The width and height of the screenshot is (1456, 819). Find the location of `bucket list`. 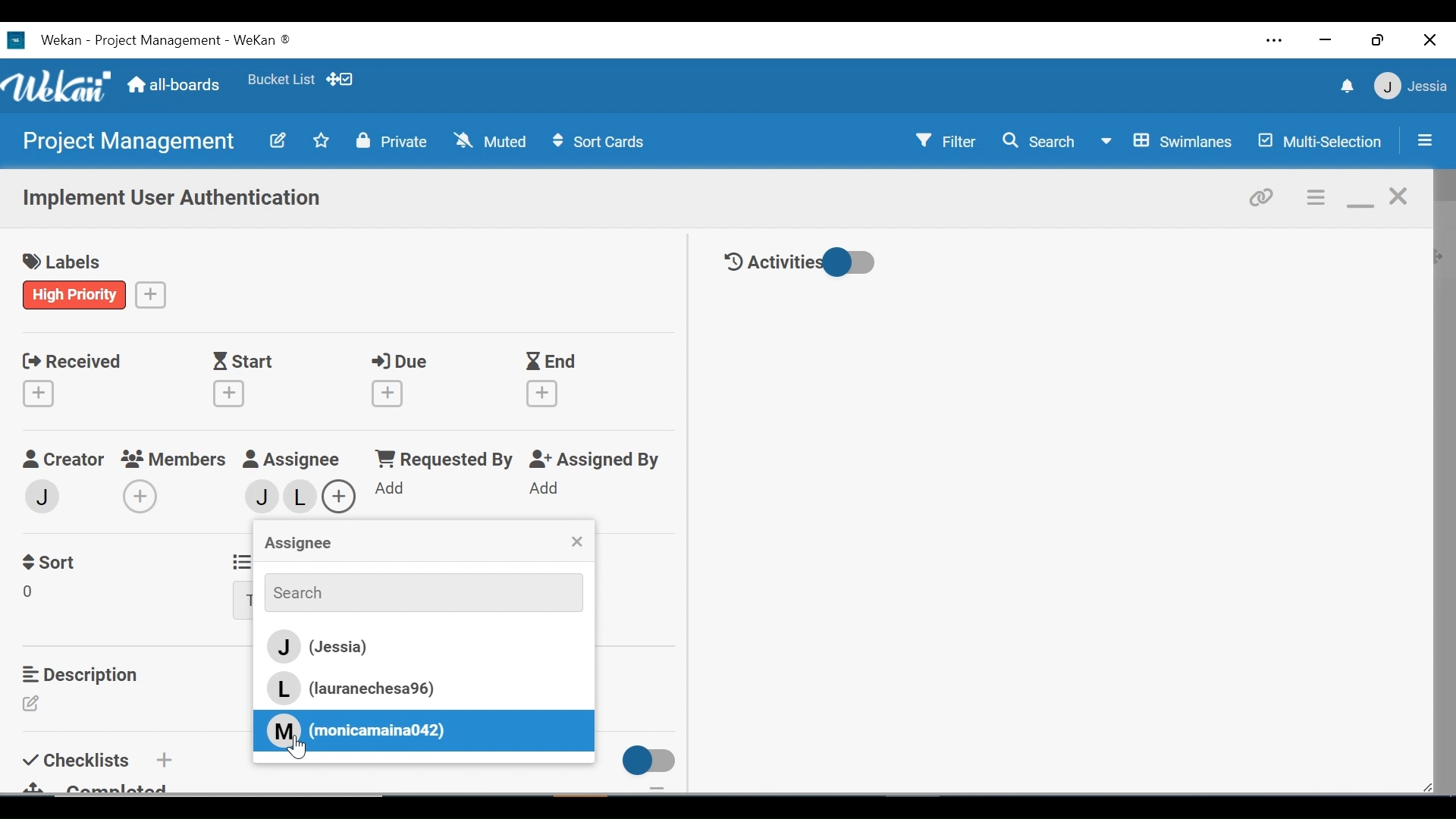

bucket list is located at coordinates (281, 80).